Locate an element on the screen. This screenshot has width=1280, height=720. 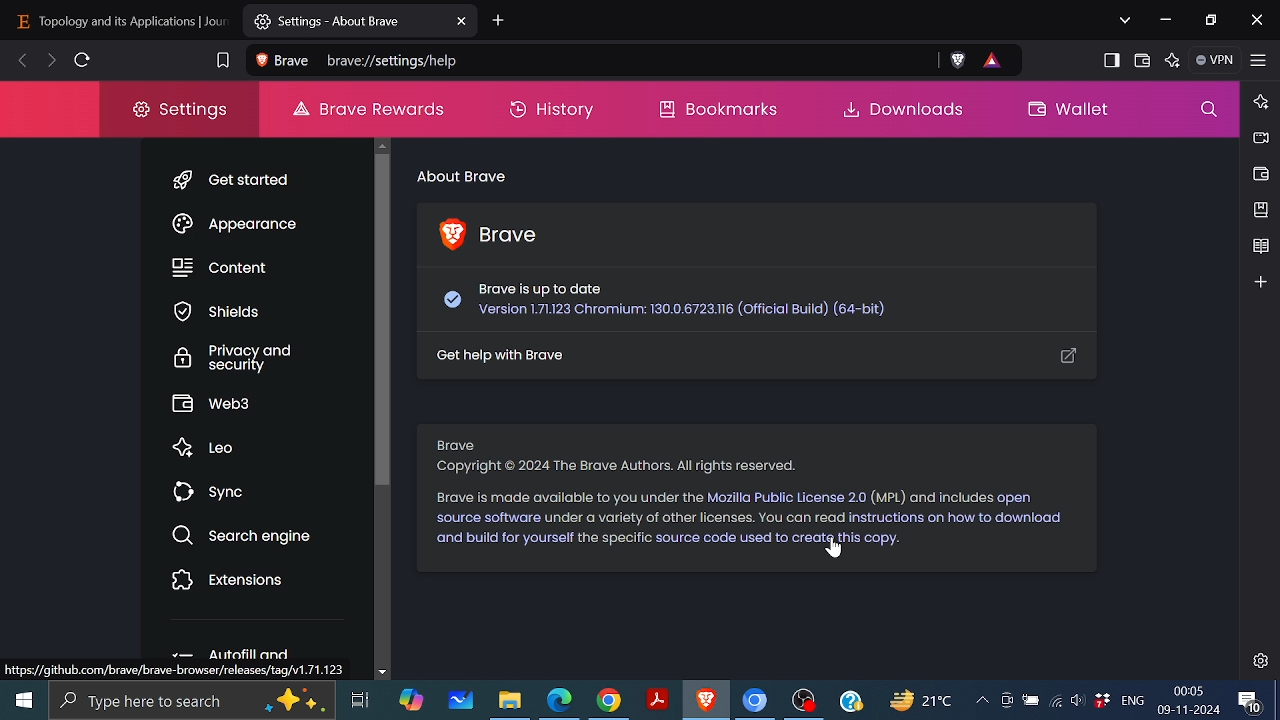
Bookamrks is located at coordinates (705, 111).